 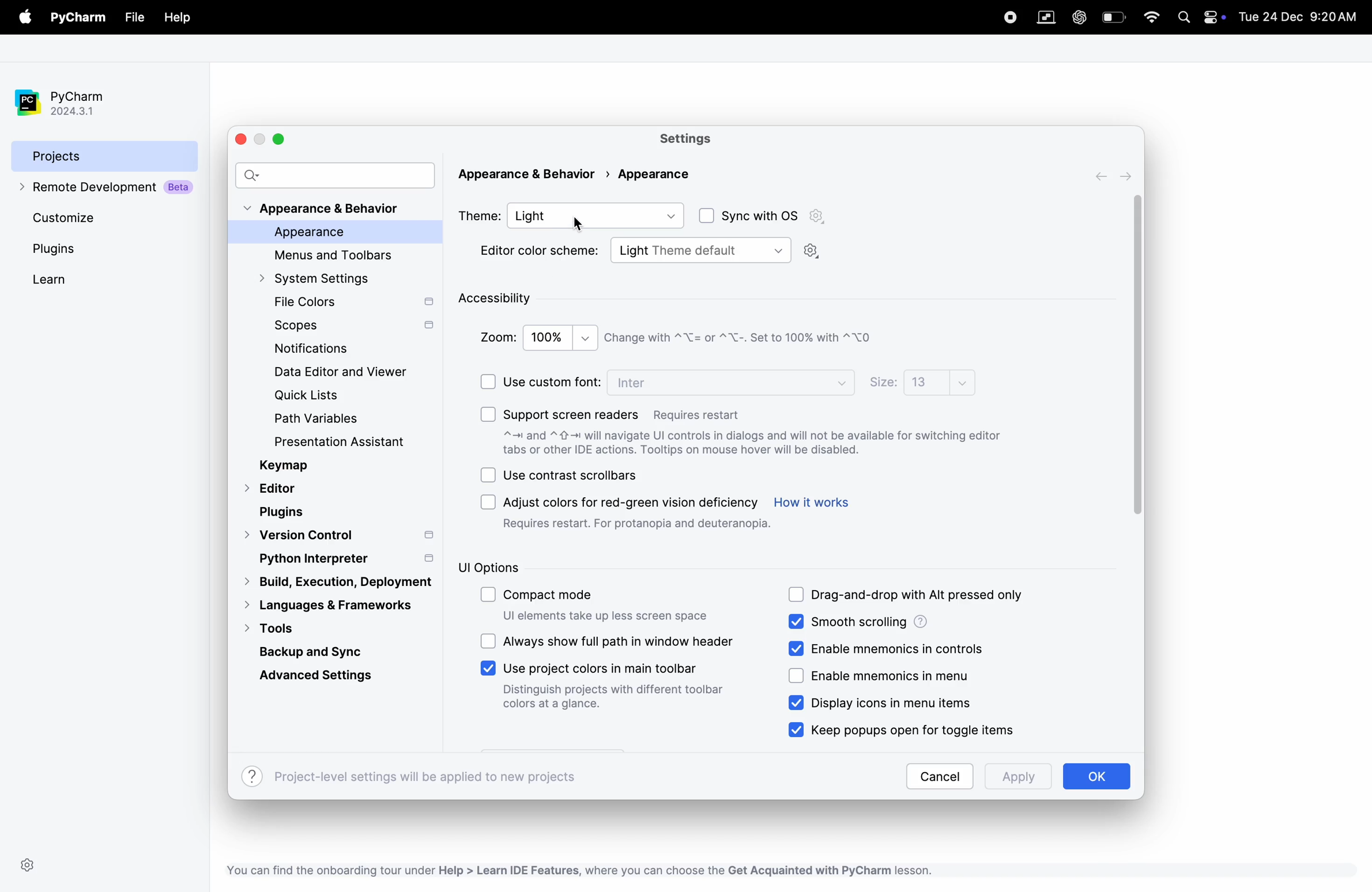 I want to click on compact mode, so click(x=608, y=607).